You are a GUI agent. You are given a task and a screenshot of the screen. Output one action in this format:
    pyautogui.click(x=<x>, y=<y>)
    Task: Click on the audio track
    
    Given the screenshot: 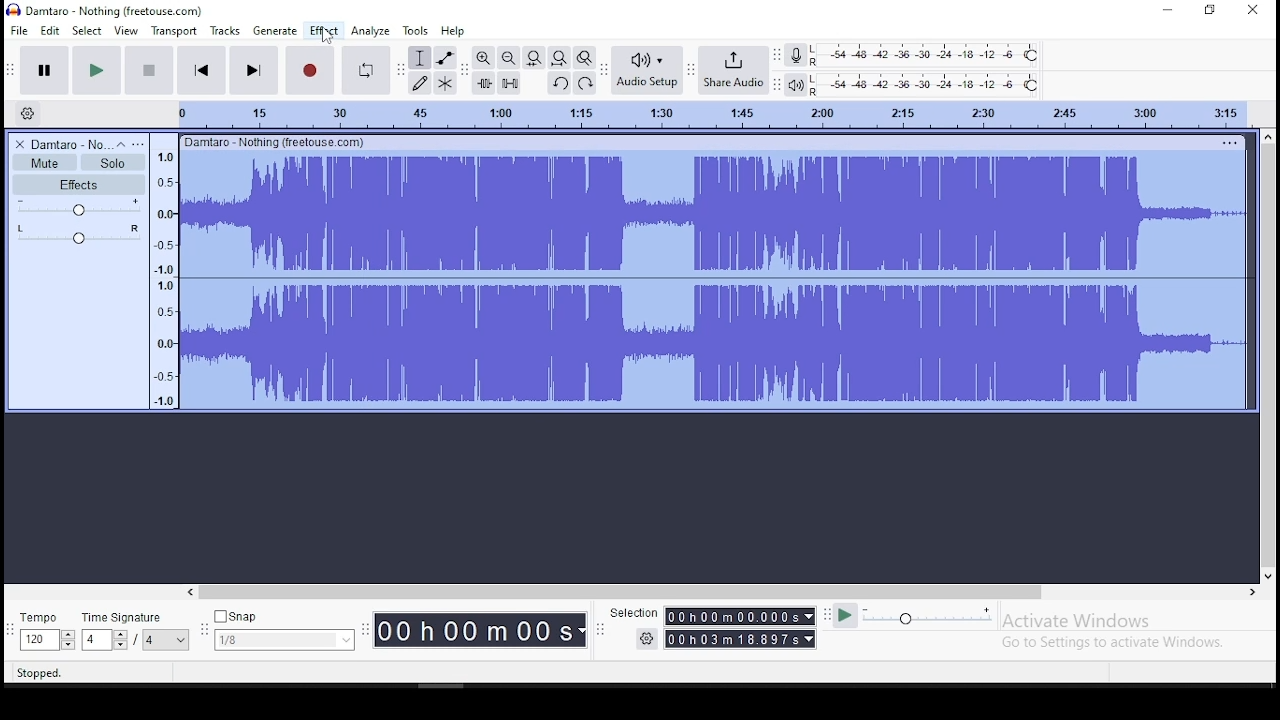 What is the action you would take?
    pyautogui.click(x=713, y=213)
    